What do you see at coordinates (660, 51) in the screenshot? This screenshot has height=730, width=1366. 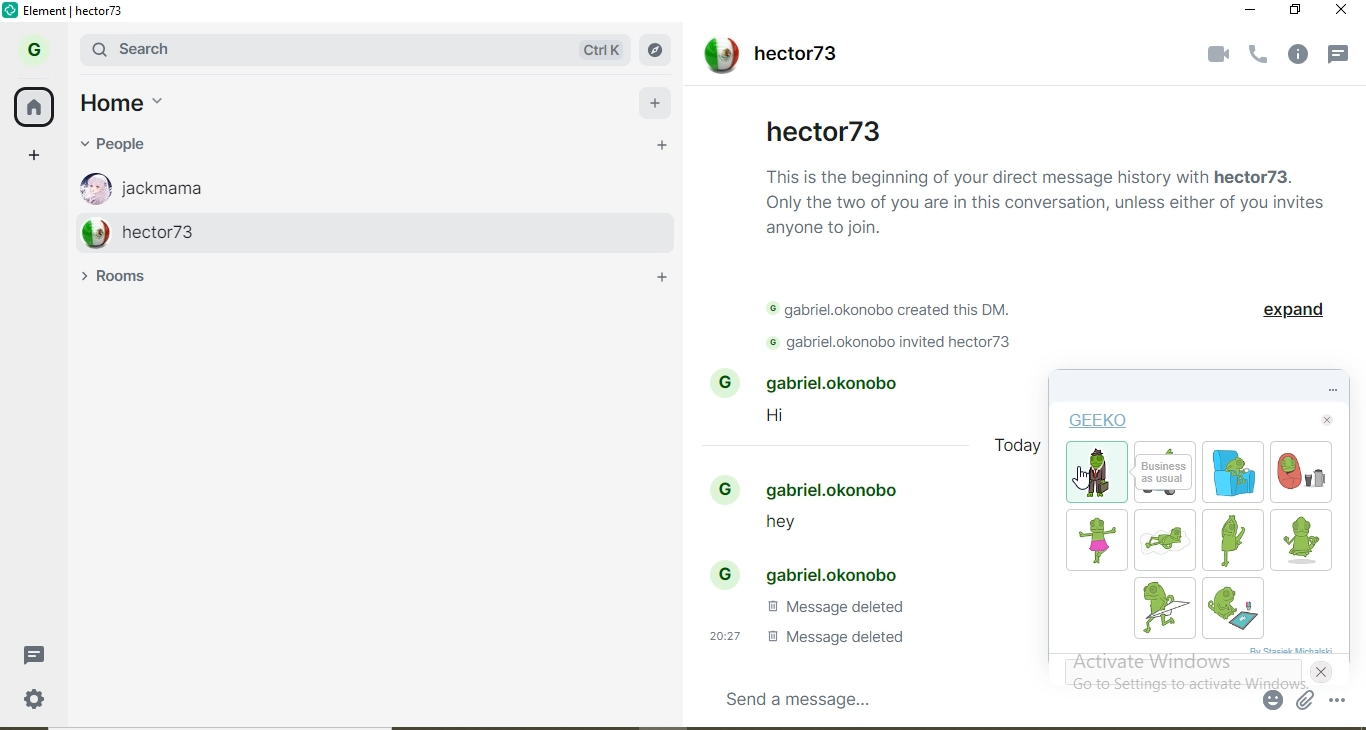 I see `navigate` at bounding box center [660, 51].